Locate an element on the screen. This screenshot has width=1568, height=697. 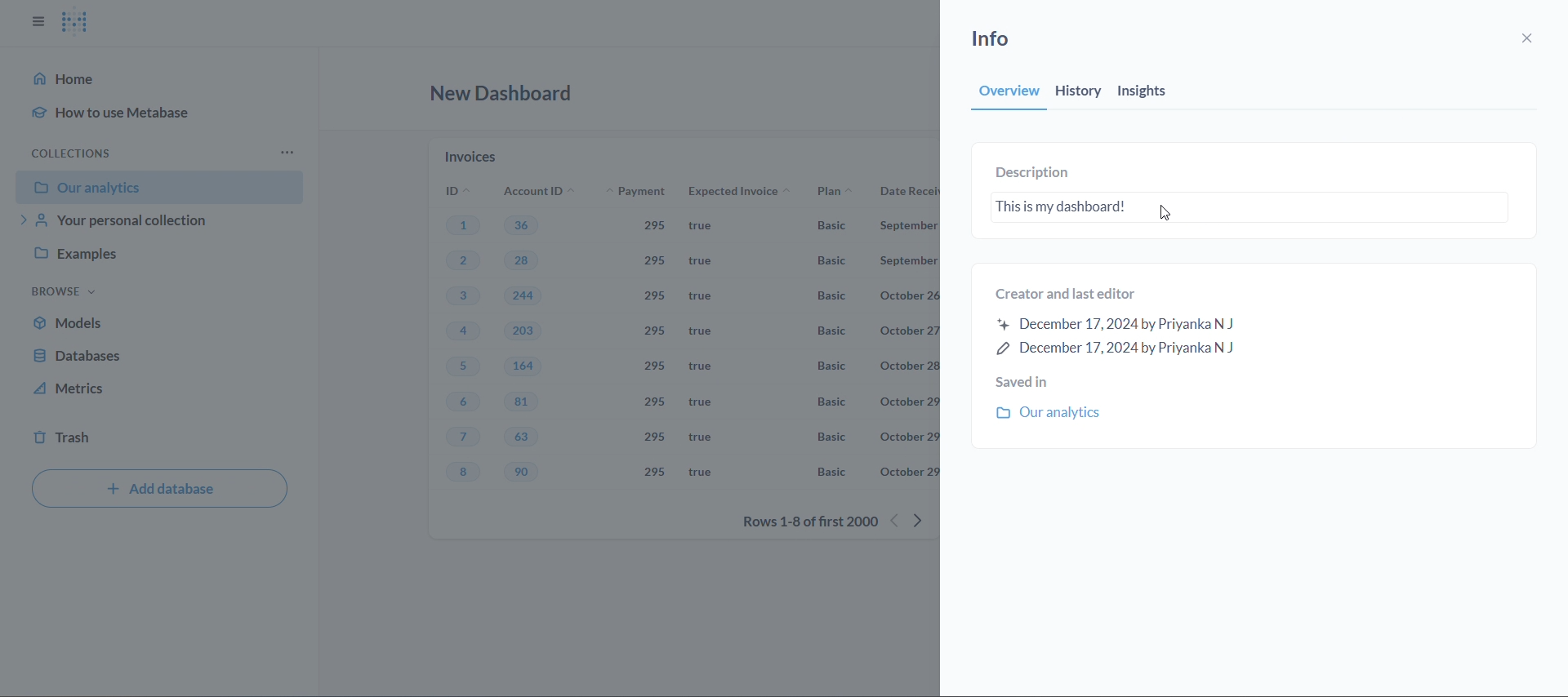
collection is located at coordinates (76, 151).